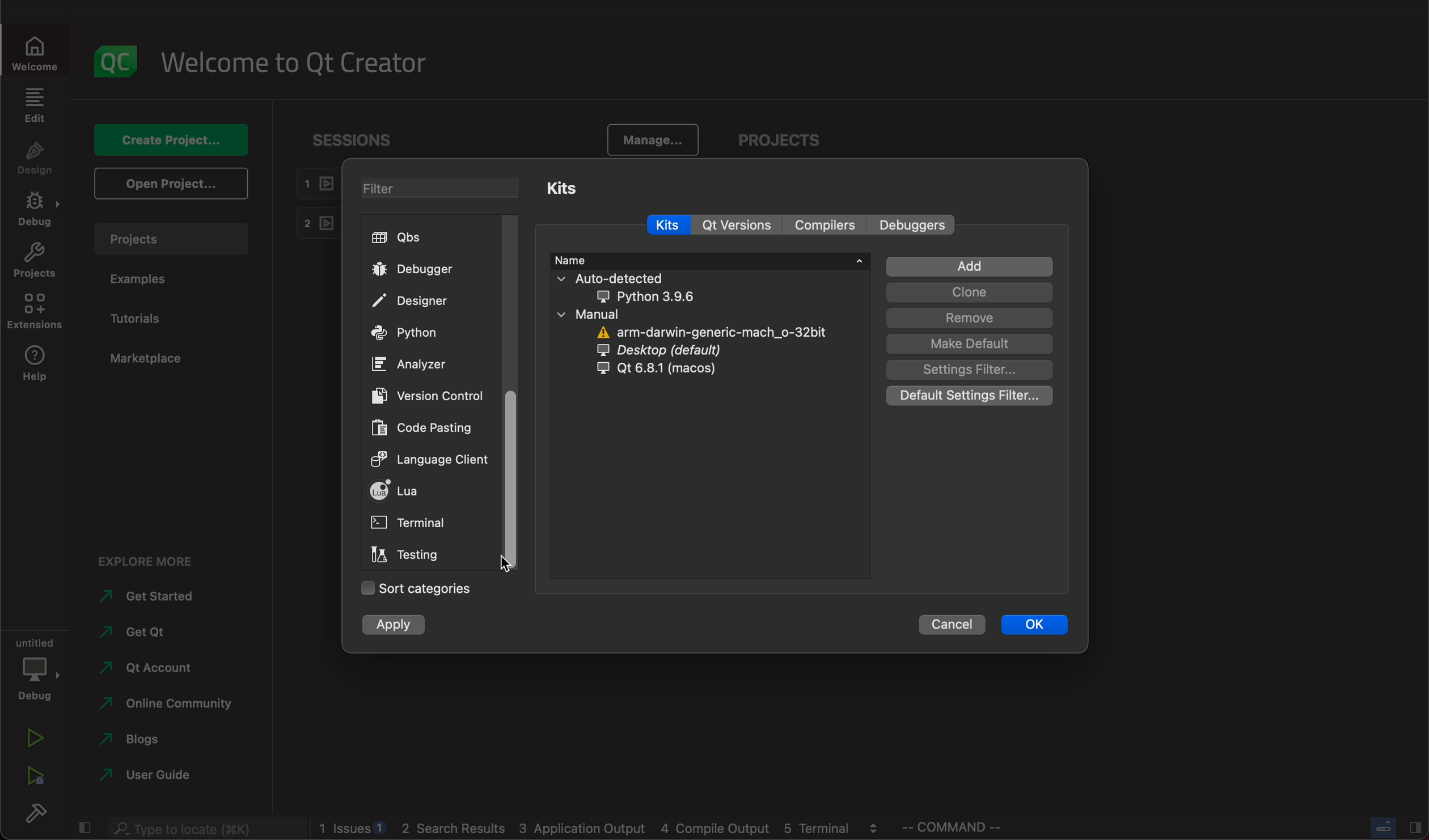 This screenshot has width=1429, height=840. What do you see at coordinates (36, 210) in the screenshot?
I see `debug` at bounding box center [36, 210].